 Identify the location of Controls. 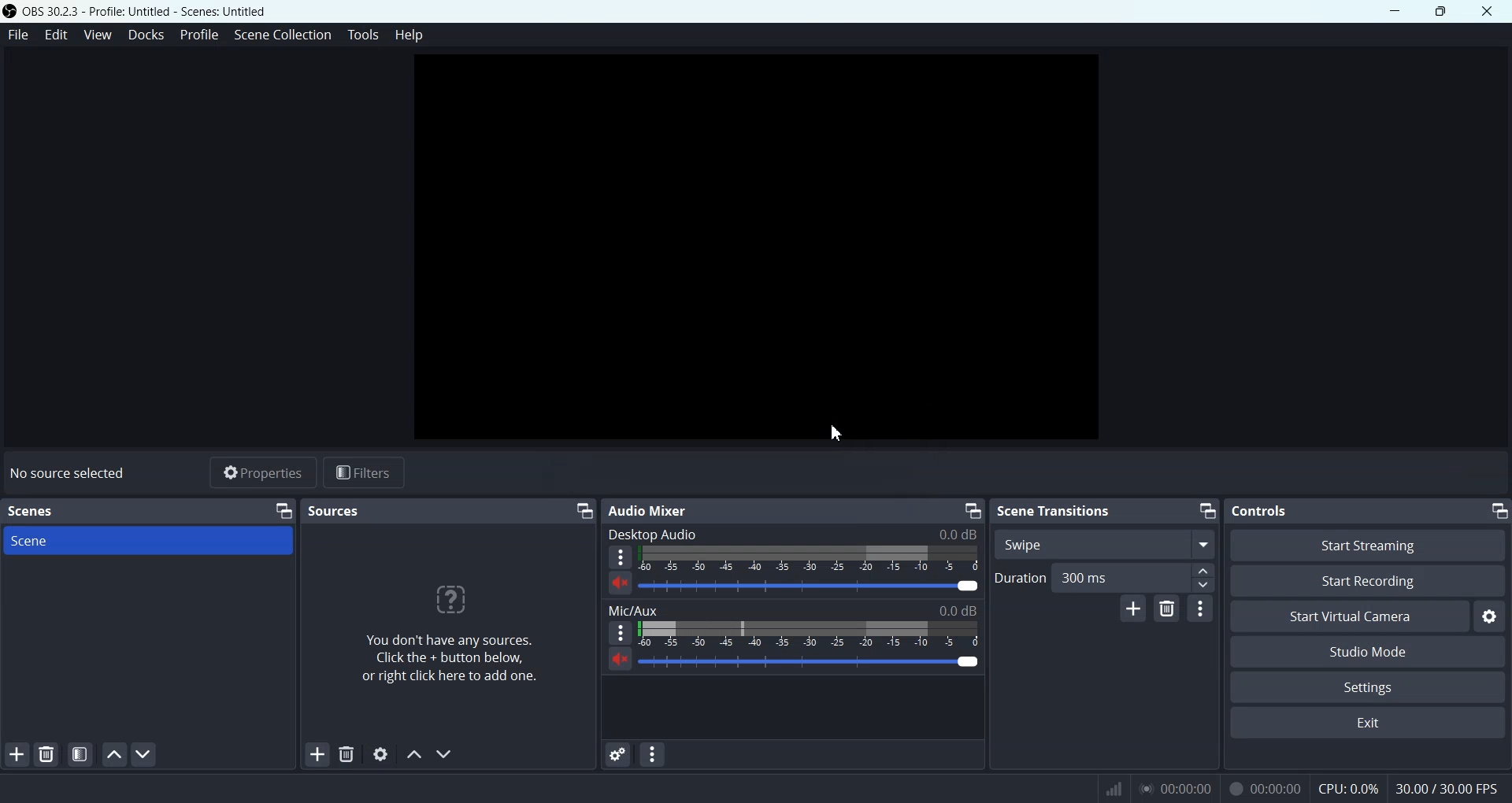
(1261, 511).